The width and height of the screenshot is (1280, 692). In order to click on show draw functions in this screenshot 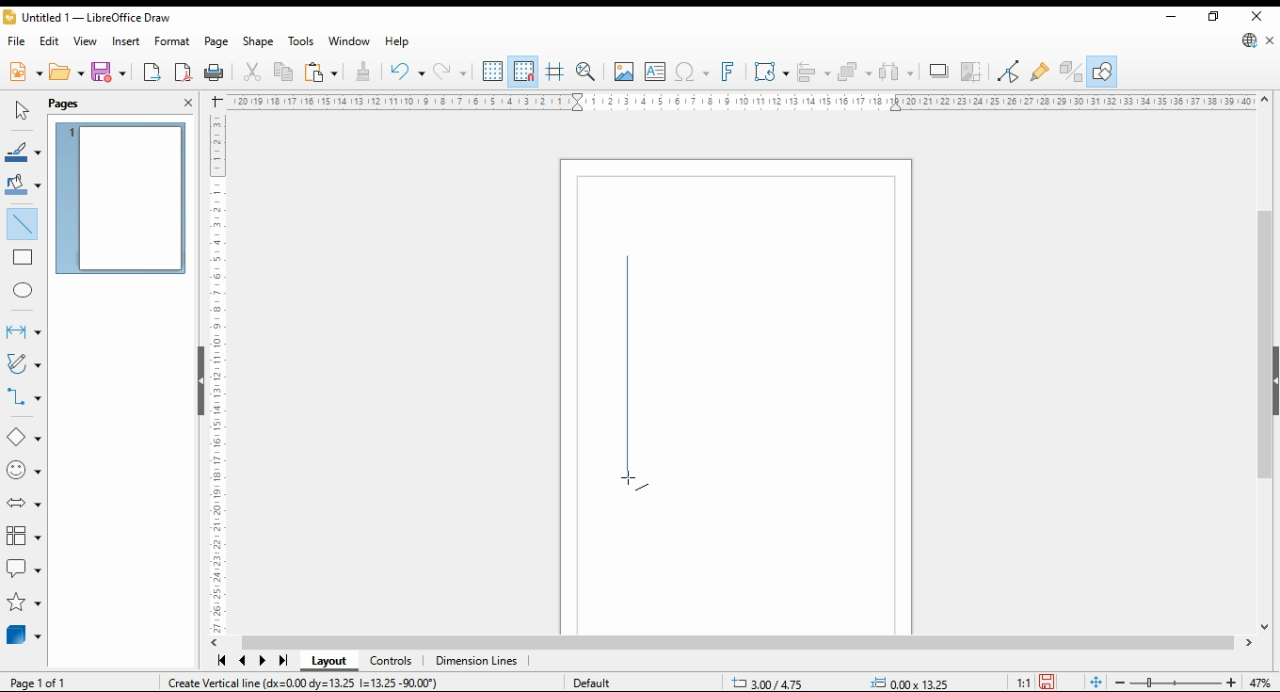, I will do `click(1102, 71)`.